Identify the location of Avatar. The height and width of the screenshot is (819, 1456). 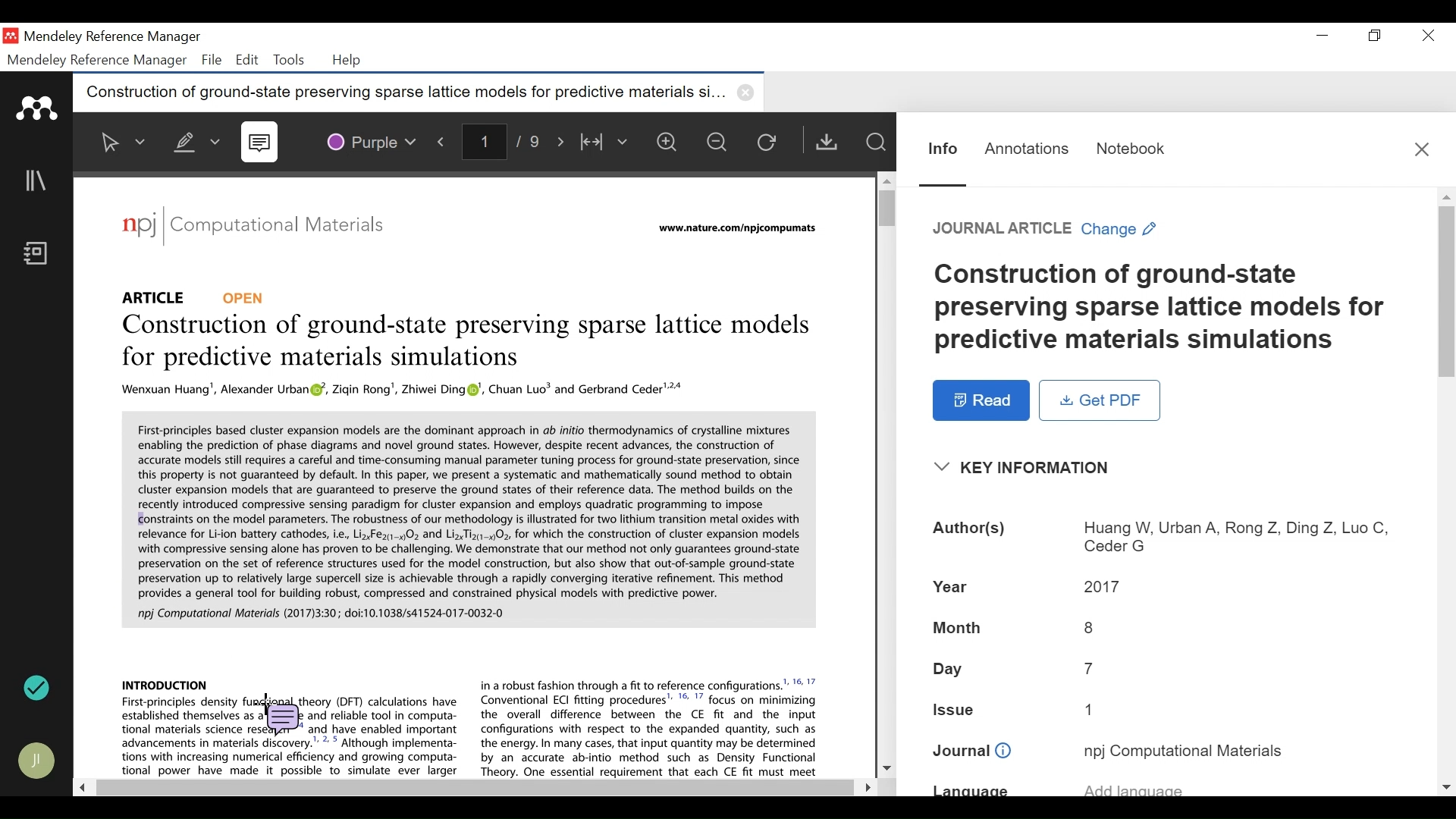
(39, 762).